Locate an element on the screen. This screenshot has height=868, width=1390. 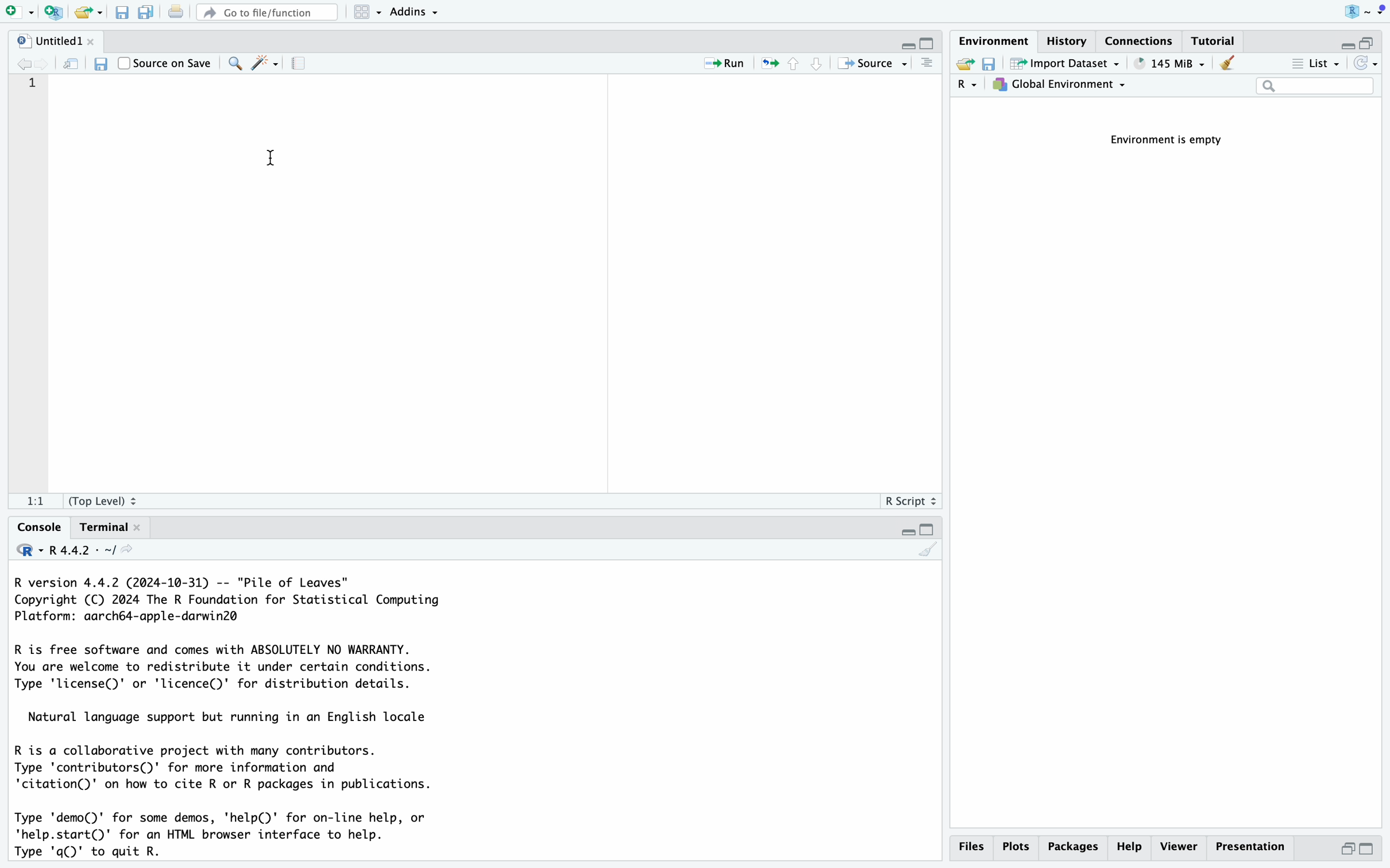
list is located at coordinates (1314, 65).